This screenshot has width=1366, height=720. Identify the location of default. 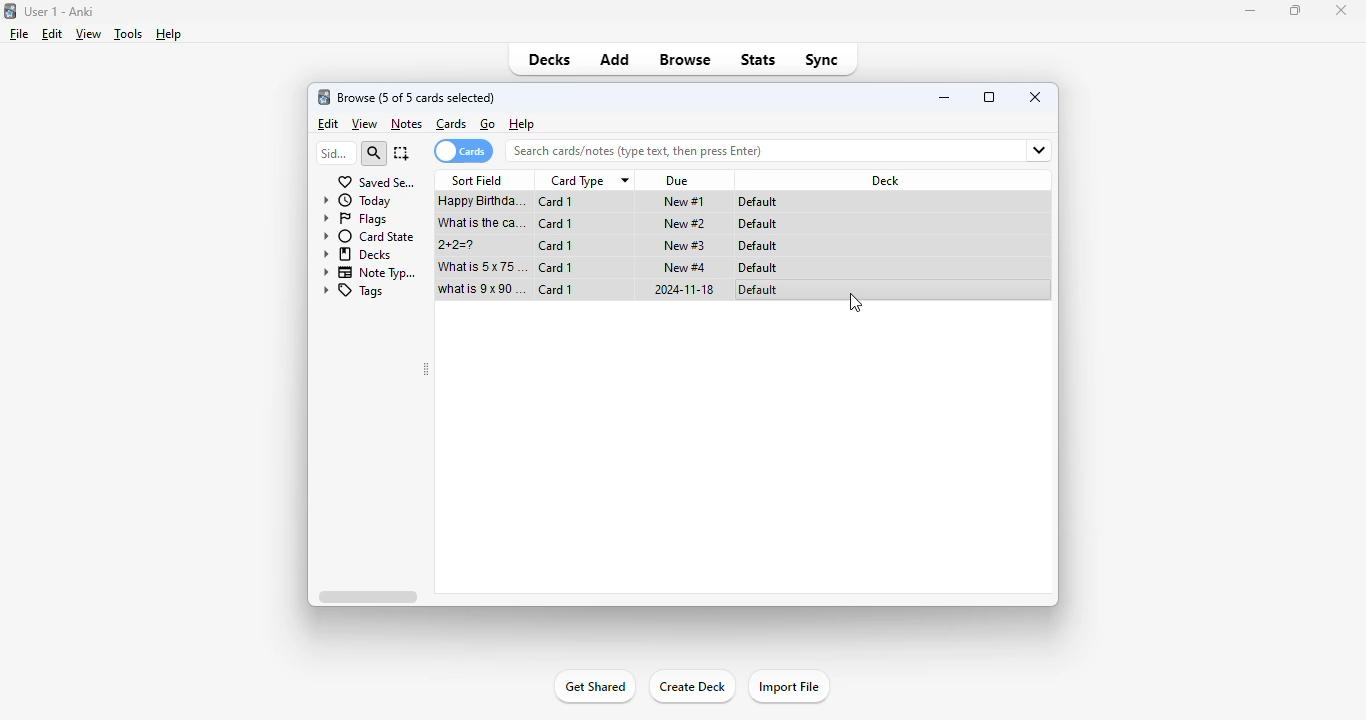
(757, 224).